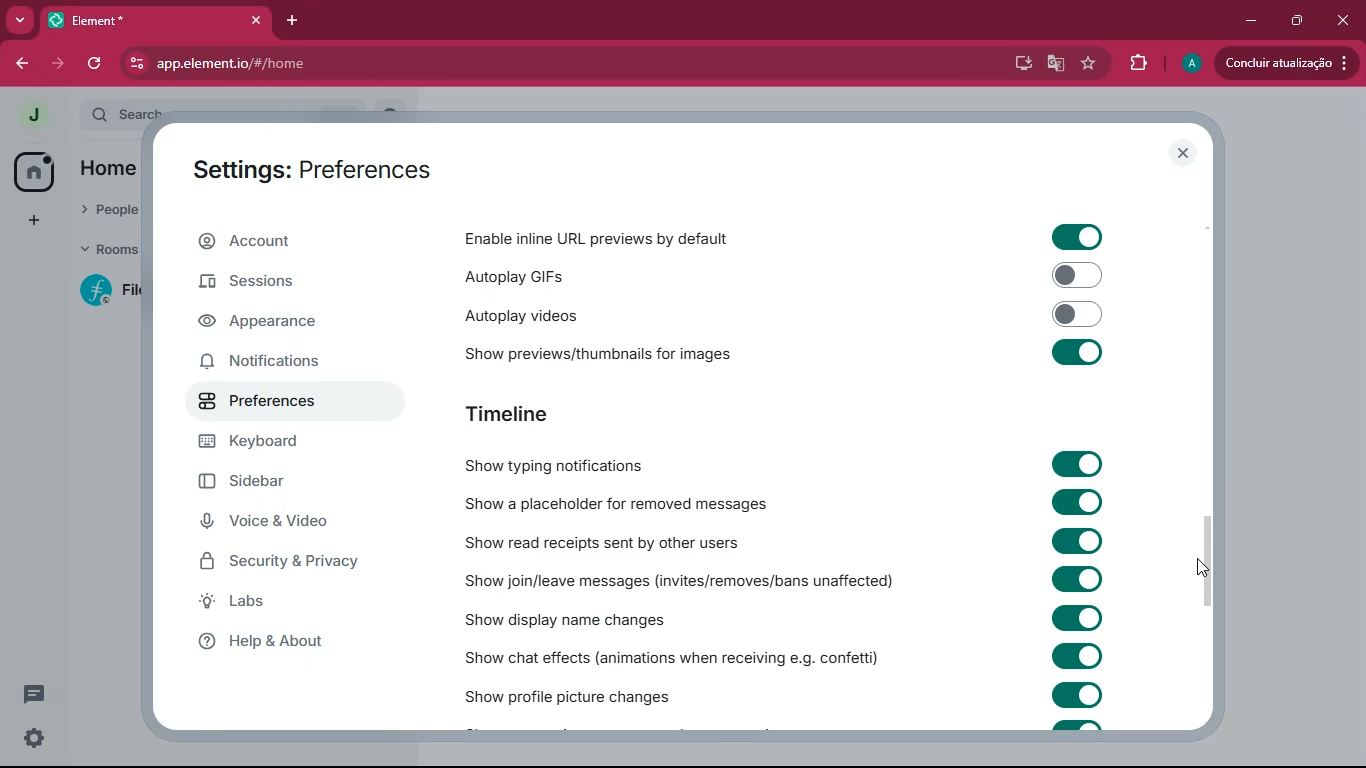 The width and height of the screenshot is (1366, 768). Describe the element at coordinates (297, 602) in the screenshot. I see `labs` at that location.